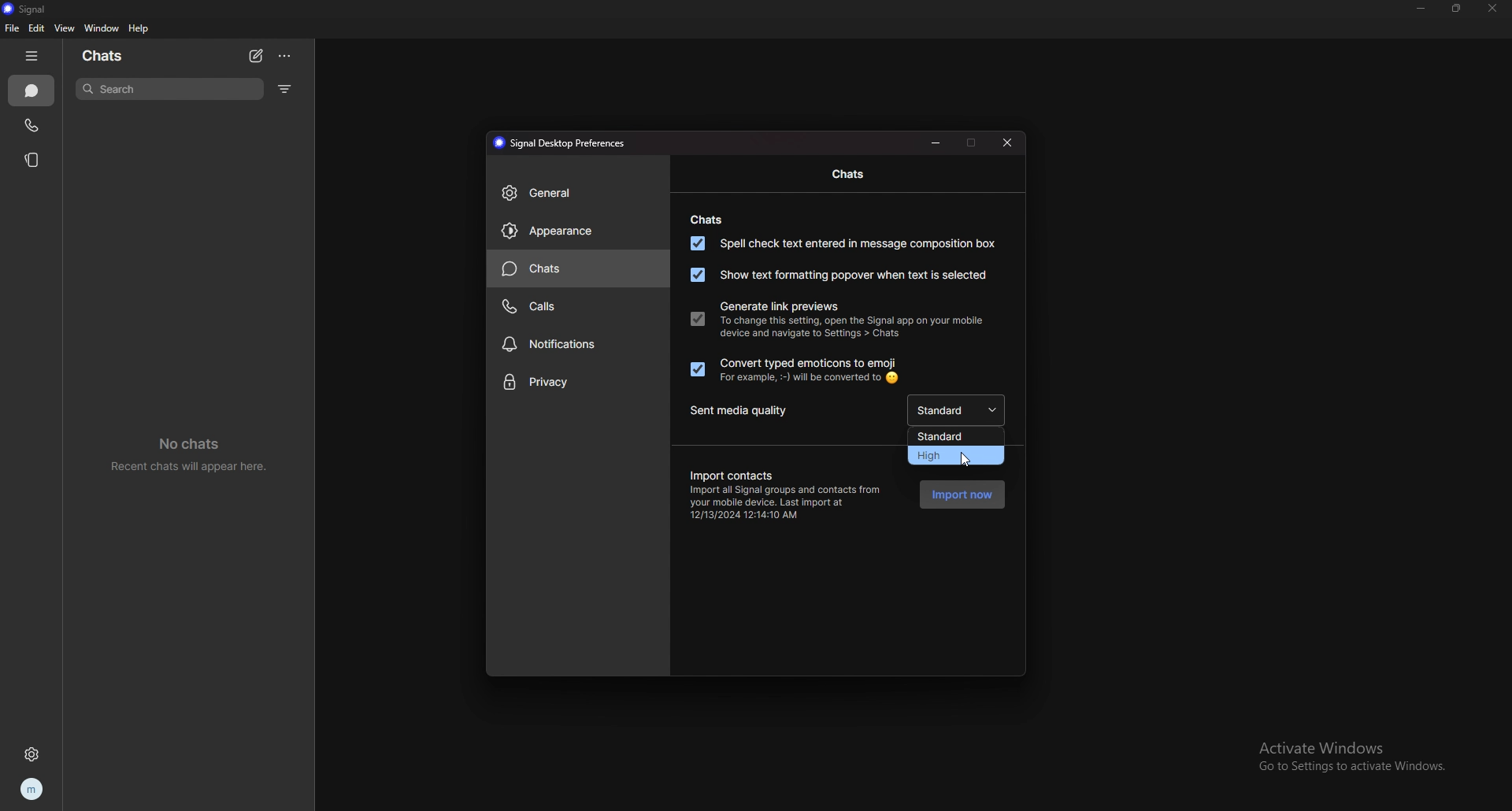  What do you see at coordinates (747, 412) in the screenshot?
I see `sent media quality` at bounding box center [747, 412].